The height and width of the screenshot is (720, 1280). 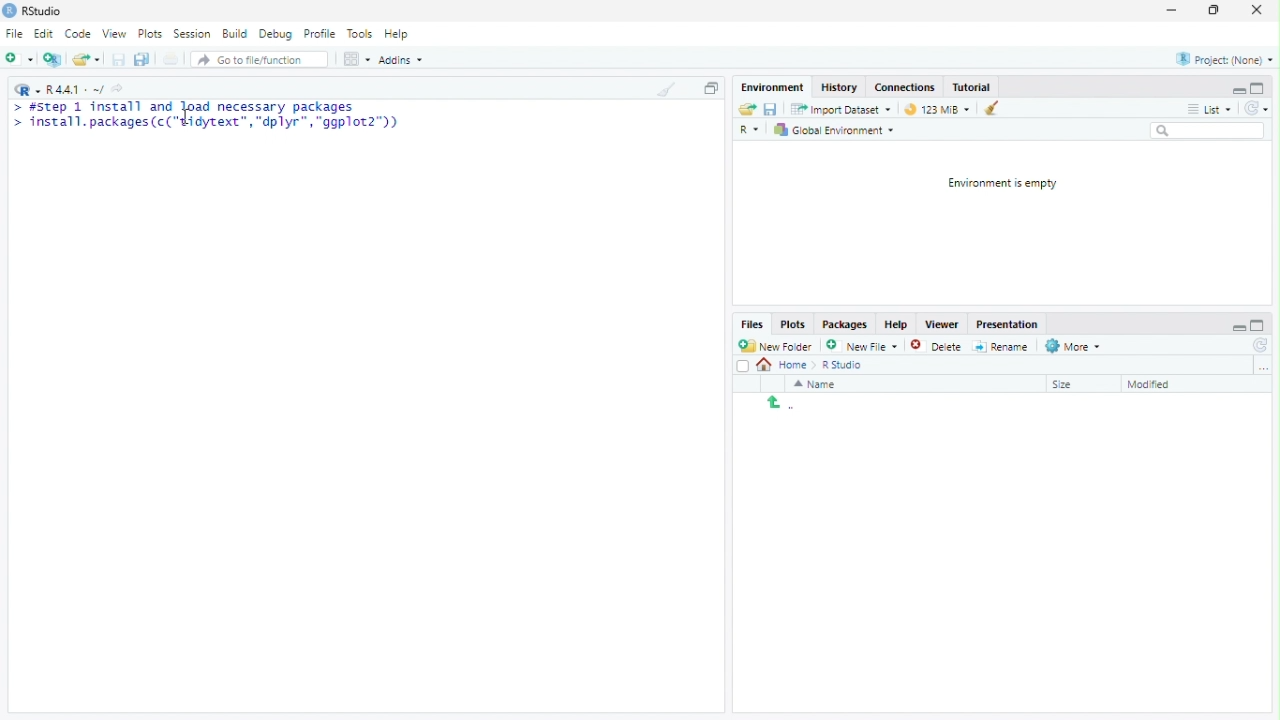 What do you see at coordinates (77, 91) in the screenshot?
I see `R4.4.1 ~/` at bounding box center [77, 91].